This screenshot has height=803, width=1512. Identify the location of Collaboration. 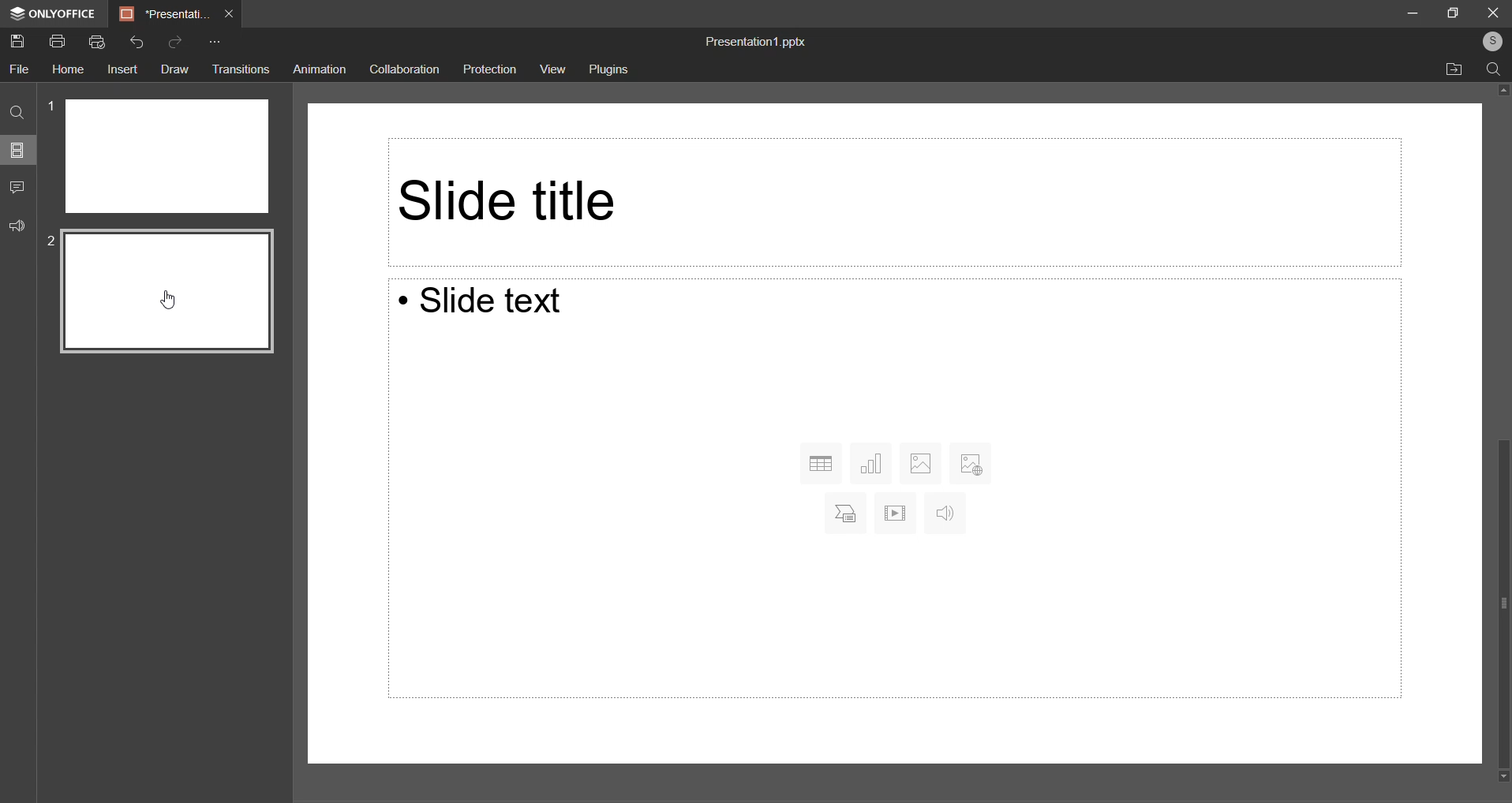
(408, 70).